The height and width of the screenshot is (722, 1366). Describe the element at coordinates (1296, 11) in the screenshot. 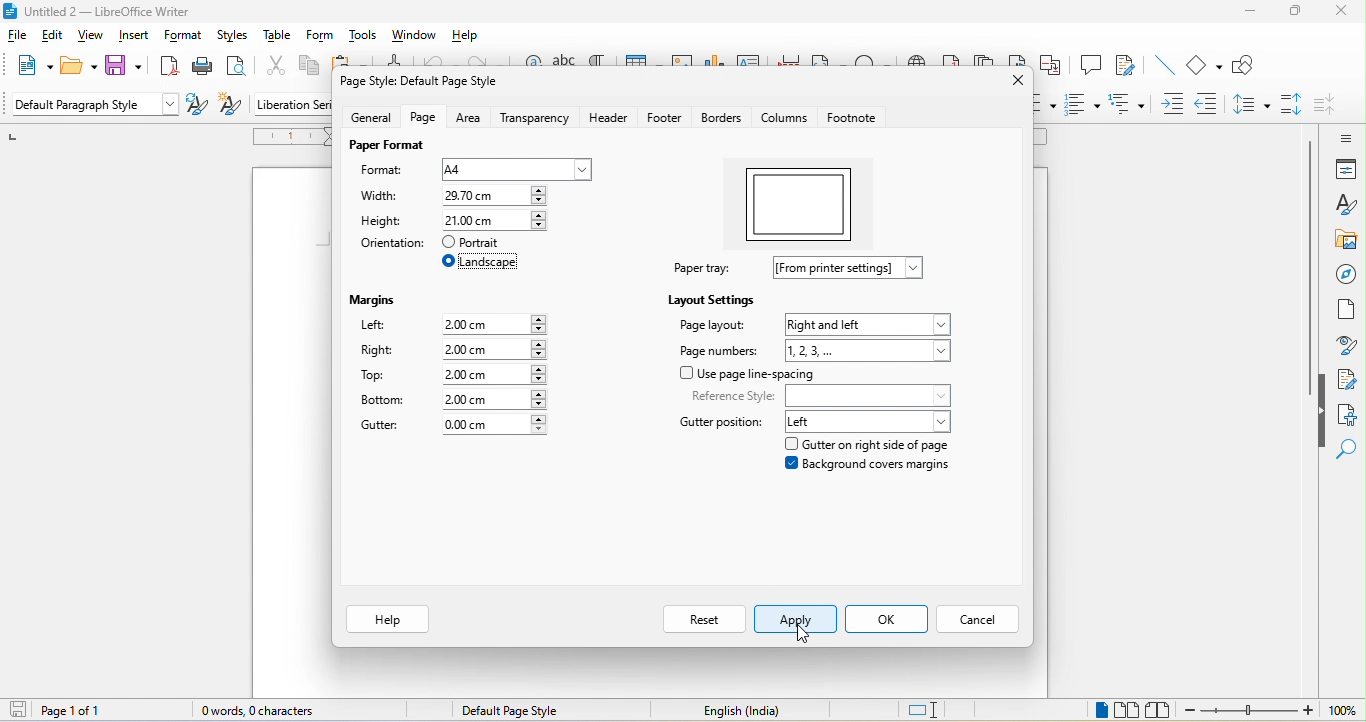

I see `maximize` at that location.